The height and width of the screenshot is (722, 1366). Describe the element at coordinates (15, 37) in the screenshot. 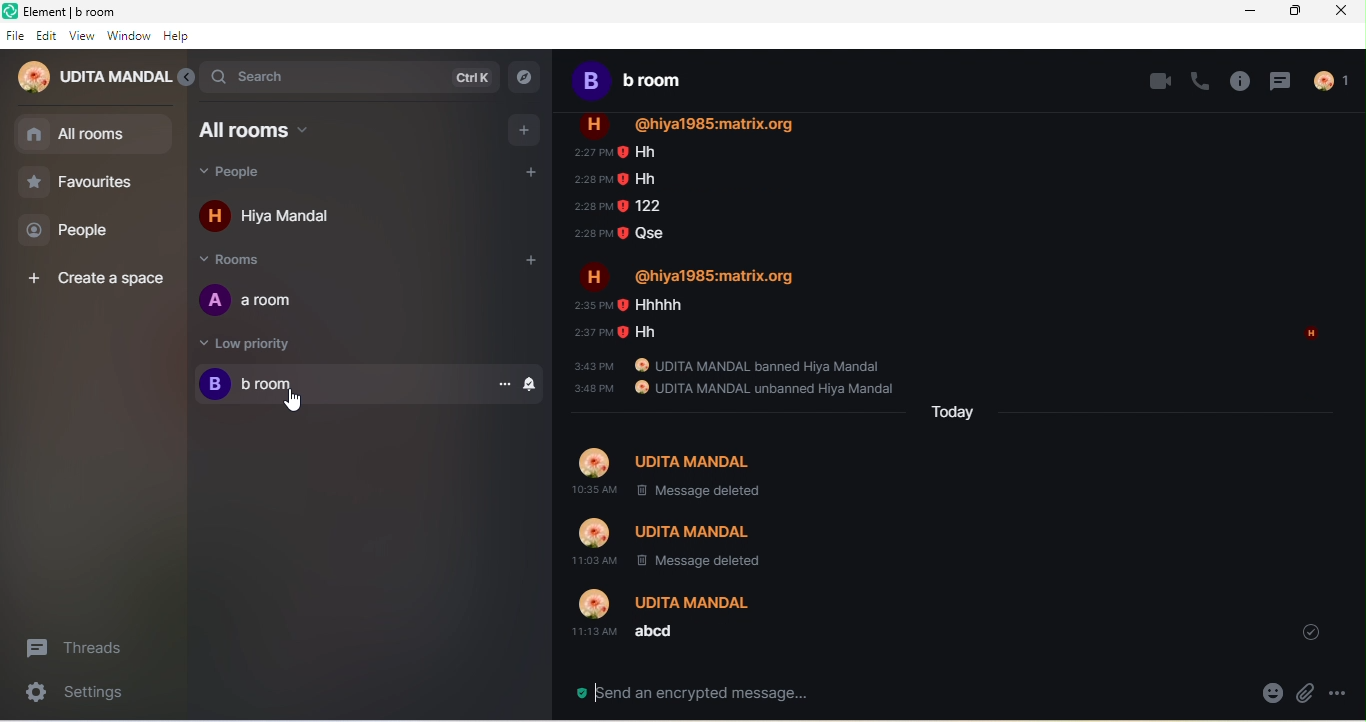

I see `file` at that location.